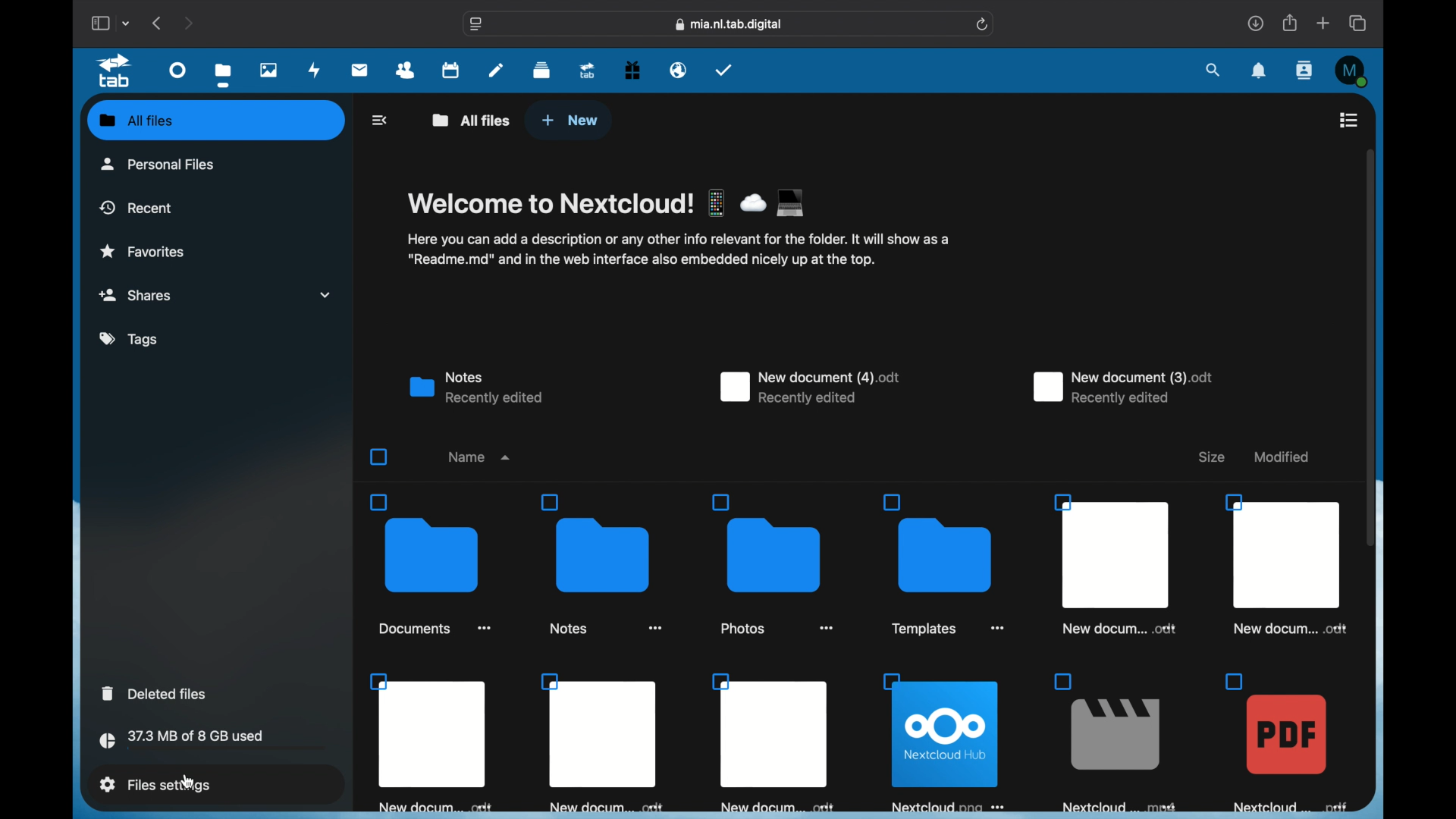  I want to click on cursor, so click(193, 783).